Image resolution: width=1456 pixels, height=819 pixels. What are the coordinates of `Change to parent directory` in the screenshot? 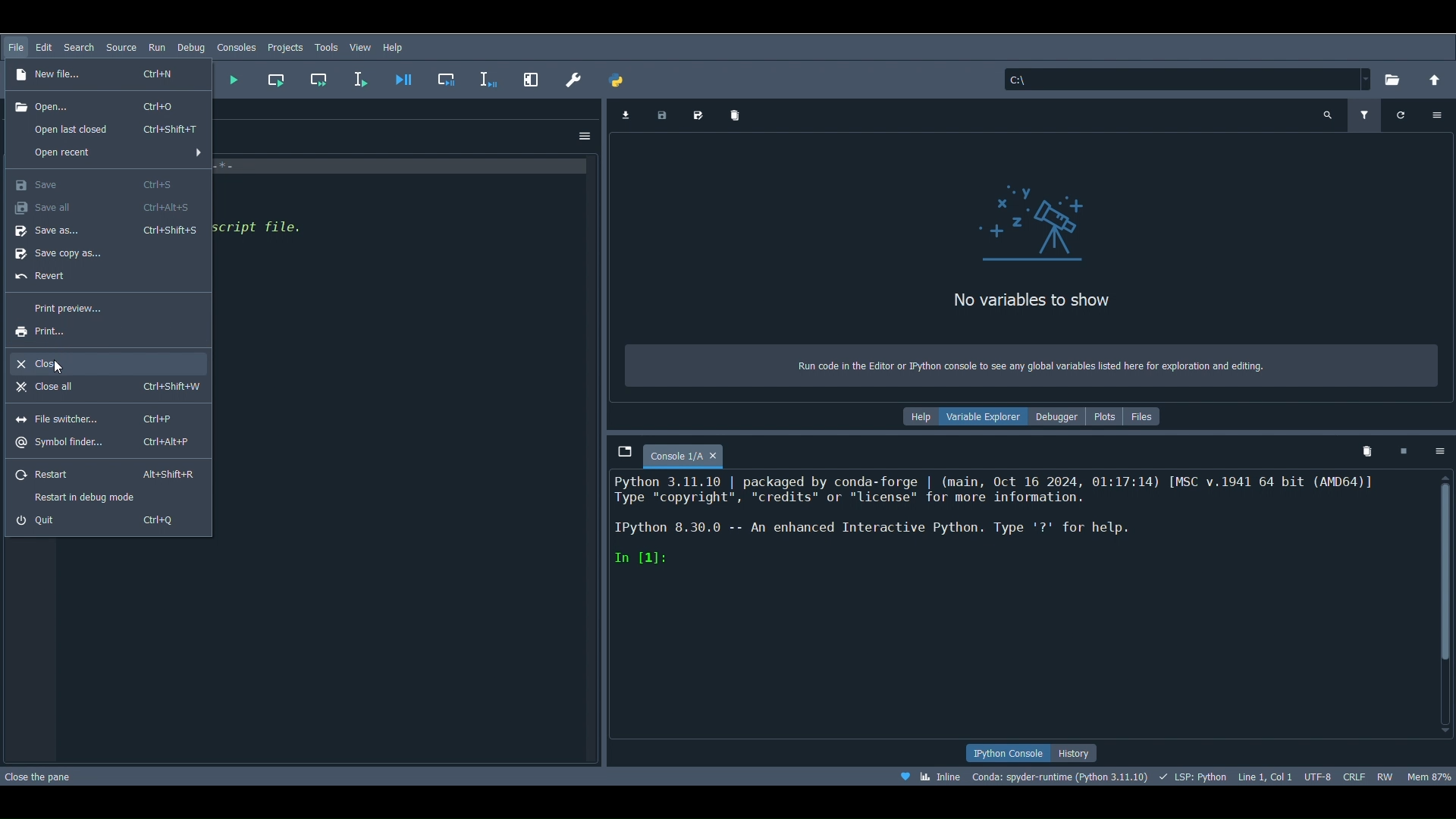 It's located at (1436, 78).